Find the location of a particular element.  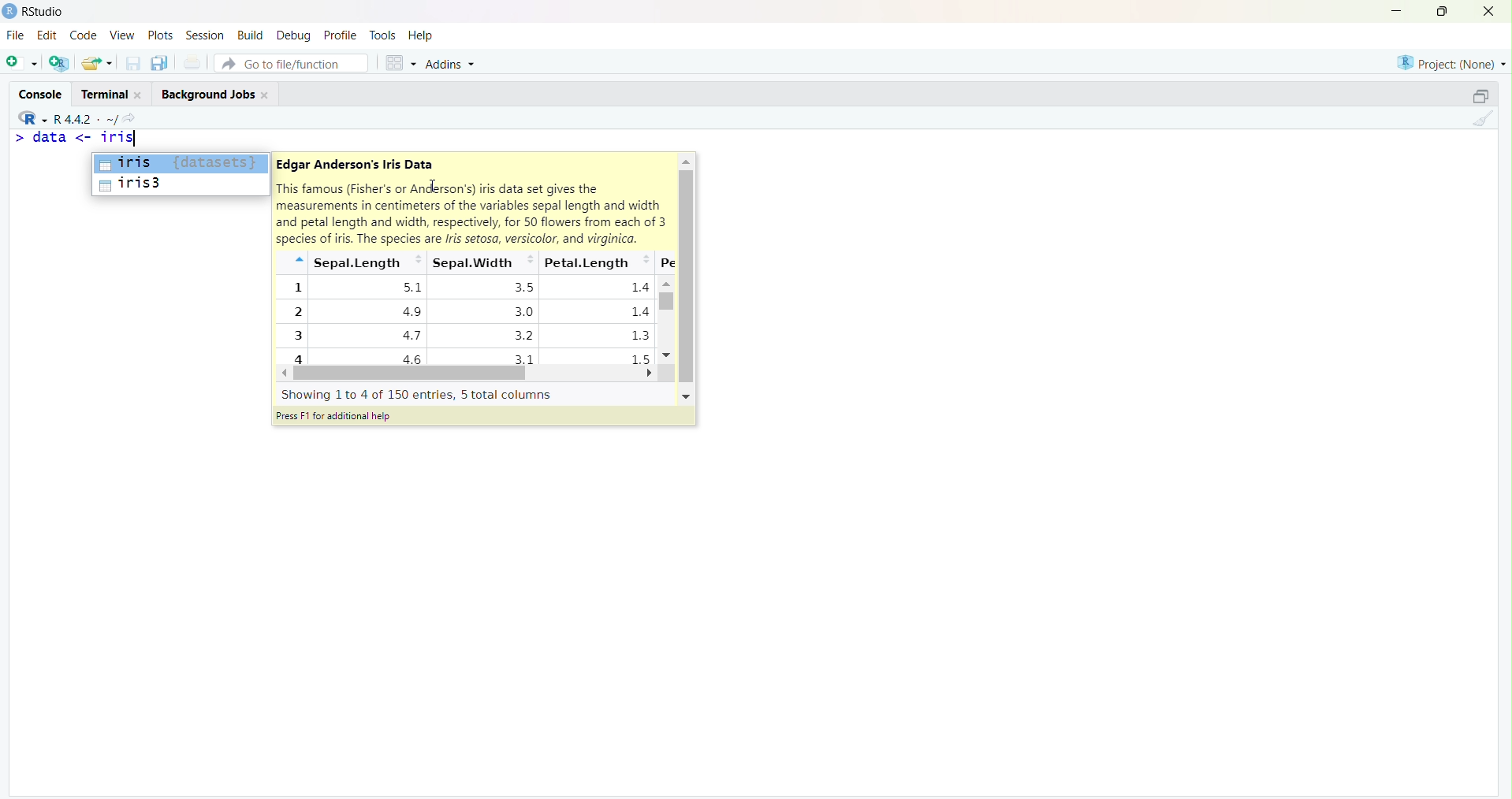

Down is located at coordinates (663, 356).